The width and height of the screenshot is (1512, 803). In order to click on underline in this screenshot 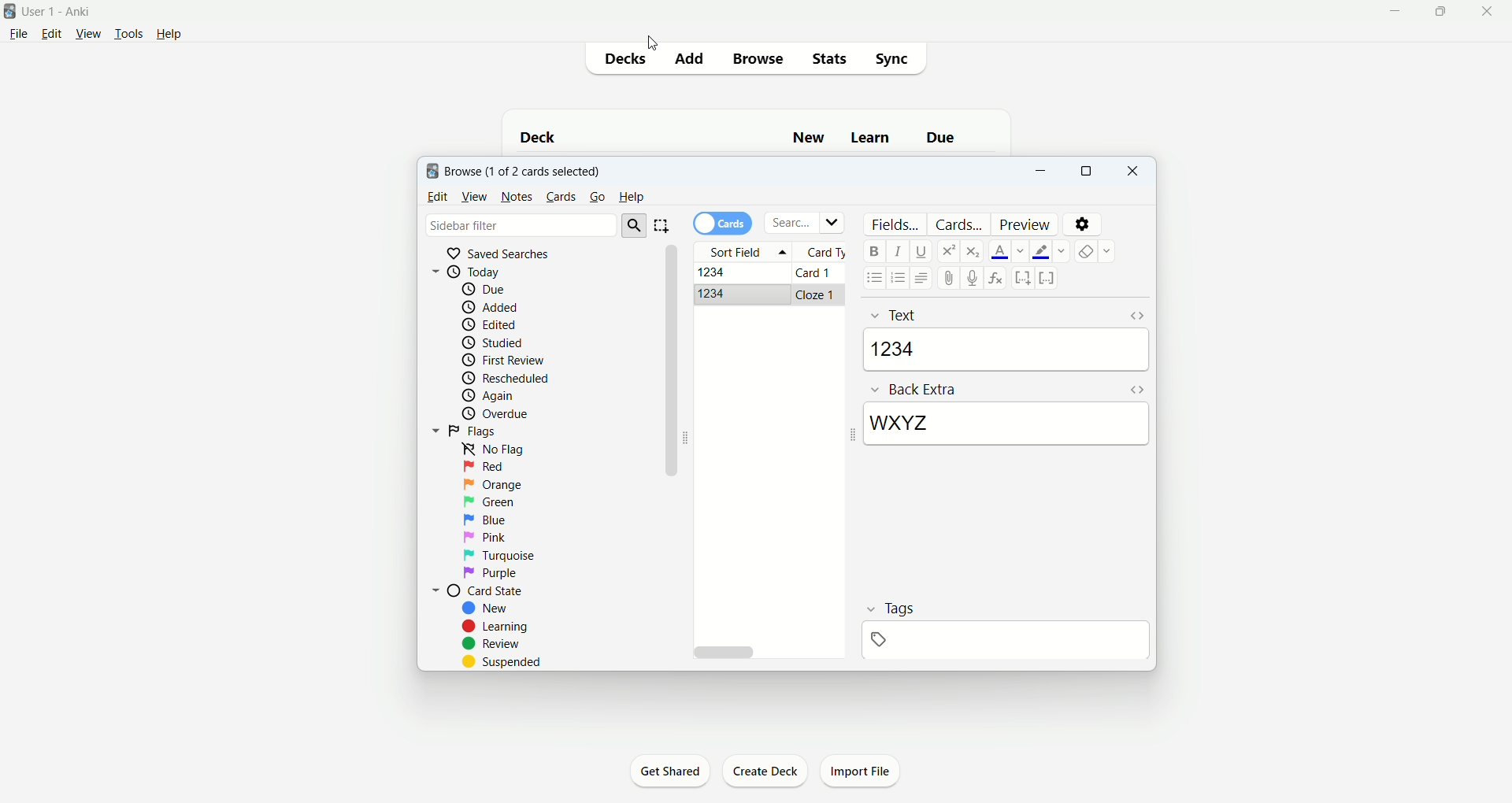, I will do `click(921, 250)`.